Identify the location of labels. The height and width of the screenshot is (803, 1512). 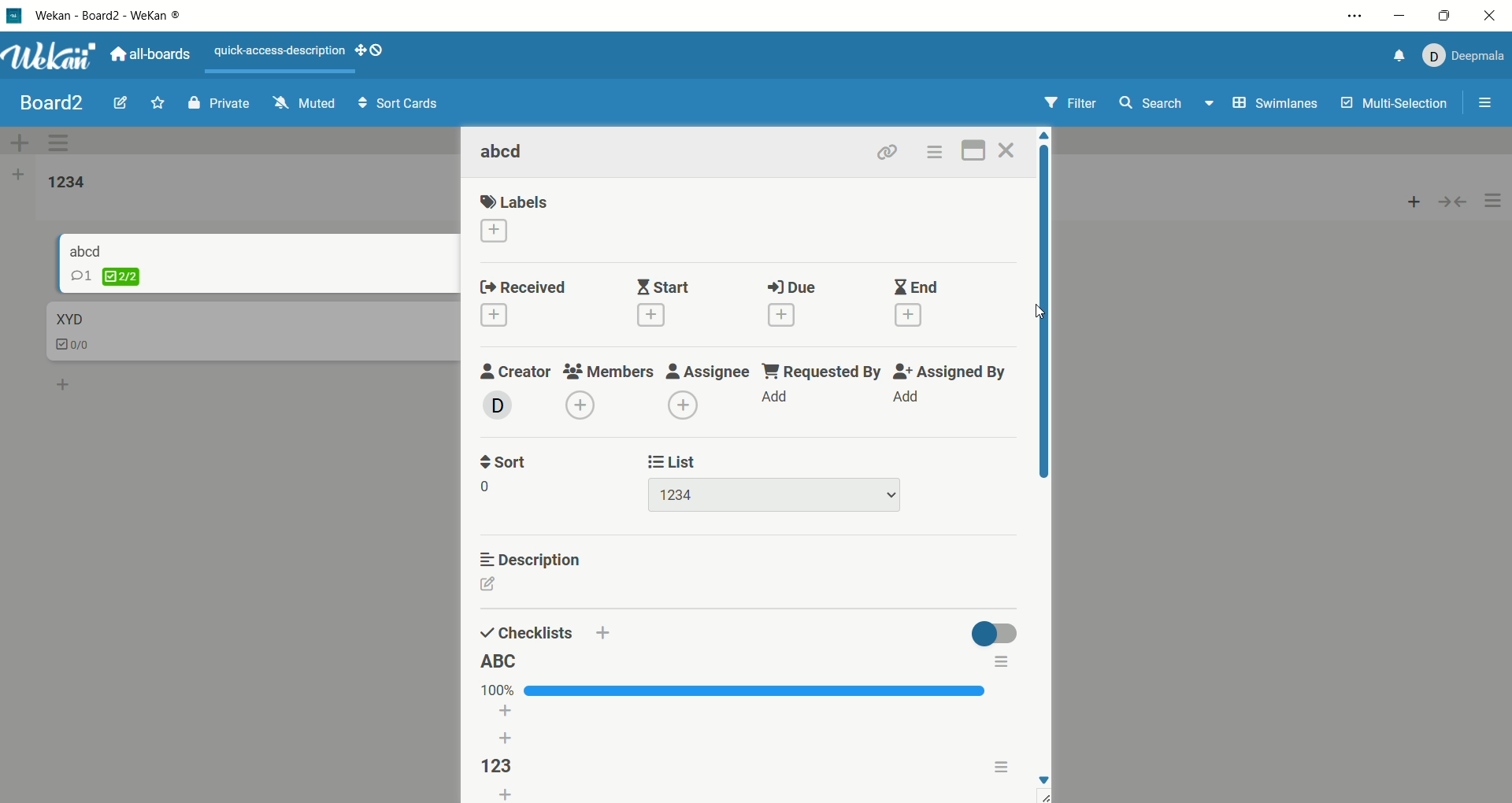
(516, 202).